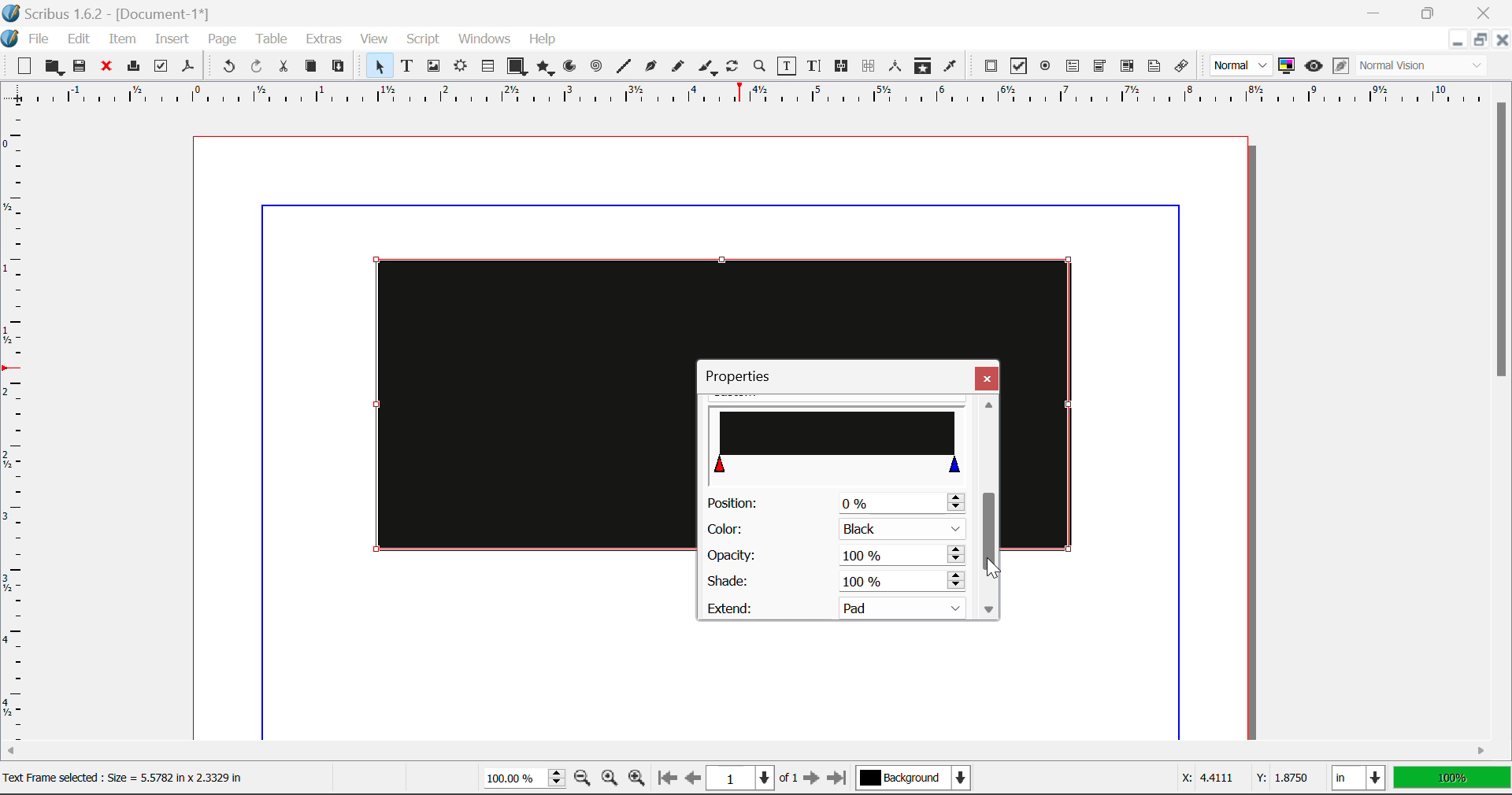 The height and width of the screenshot is (795, 1512). I want to click on Image Frame, so click(433, 68).